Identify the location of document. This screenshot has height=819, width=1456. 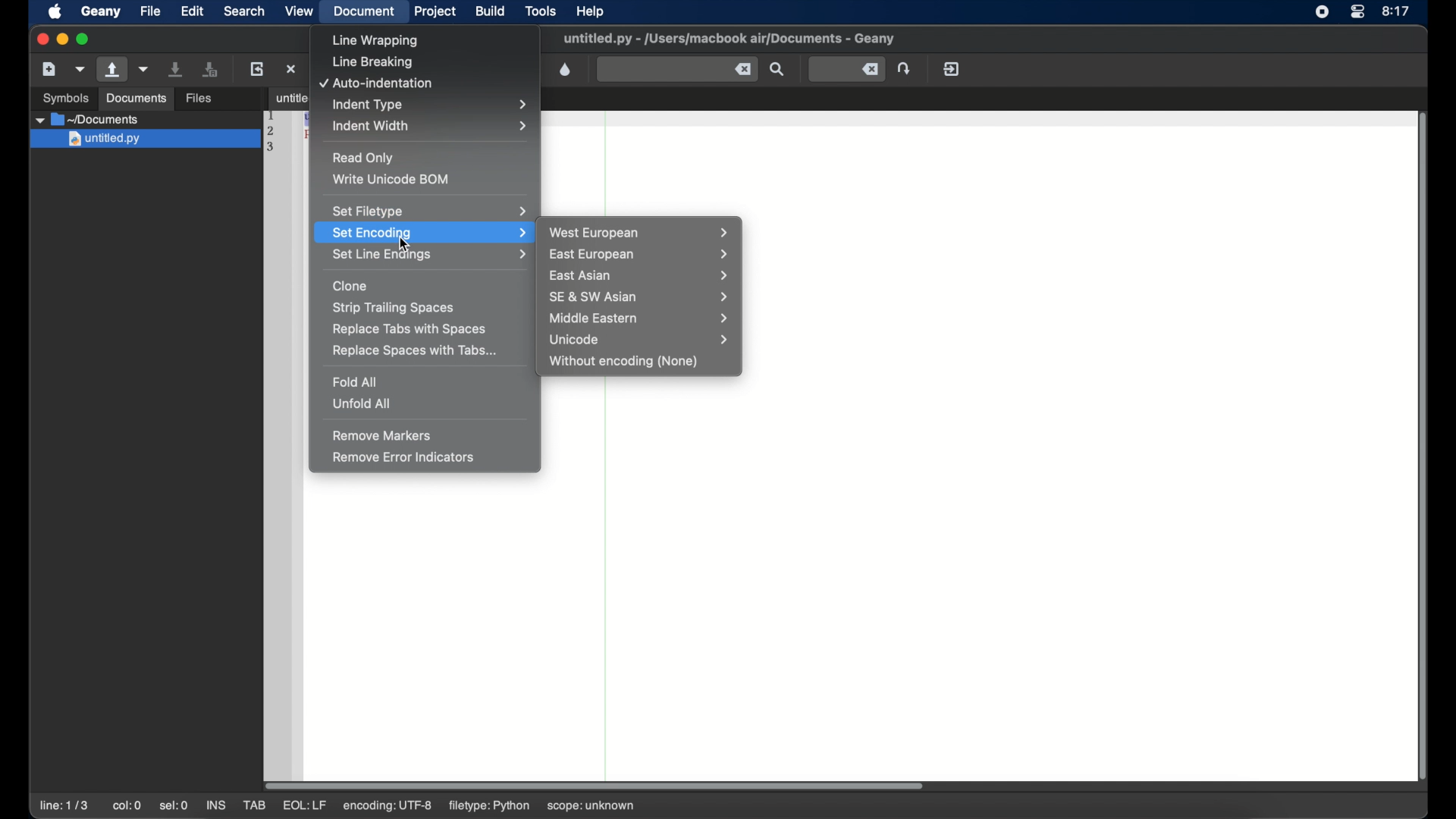
(366, 12).